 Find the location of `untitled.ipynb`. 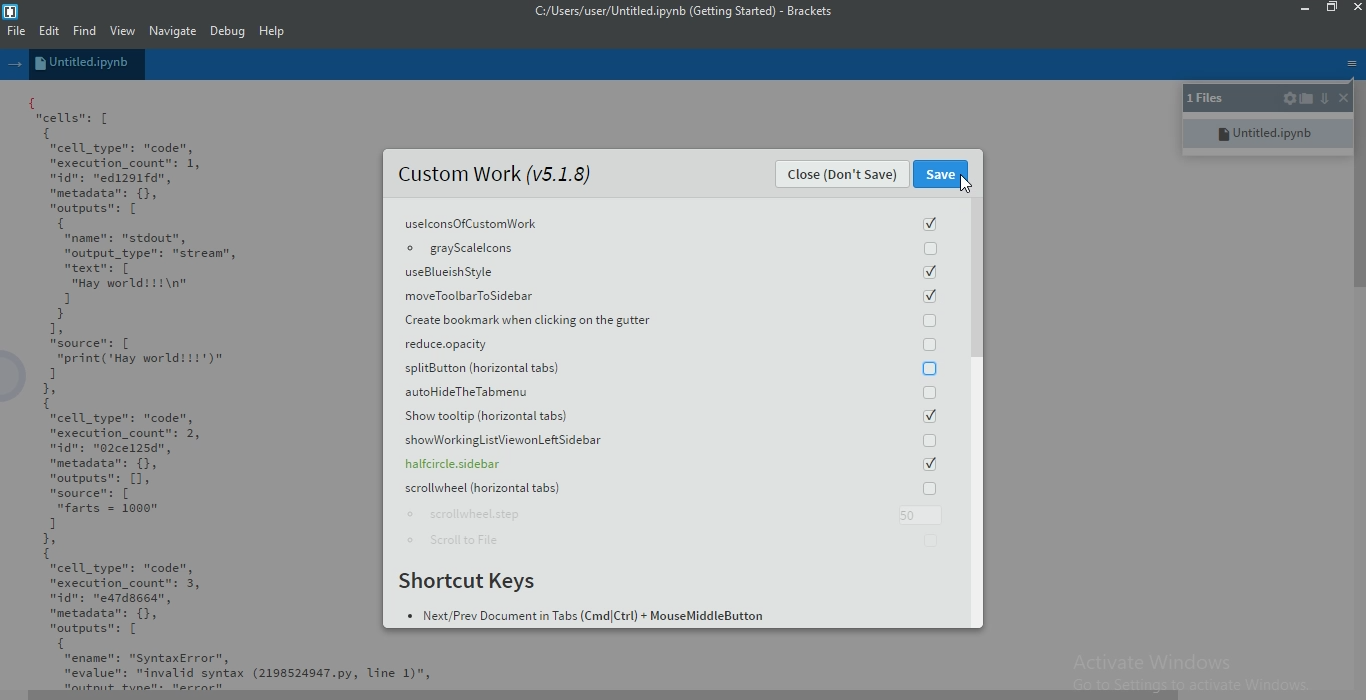

untitled.ipynb is located at coordinates (88, 64).